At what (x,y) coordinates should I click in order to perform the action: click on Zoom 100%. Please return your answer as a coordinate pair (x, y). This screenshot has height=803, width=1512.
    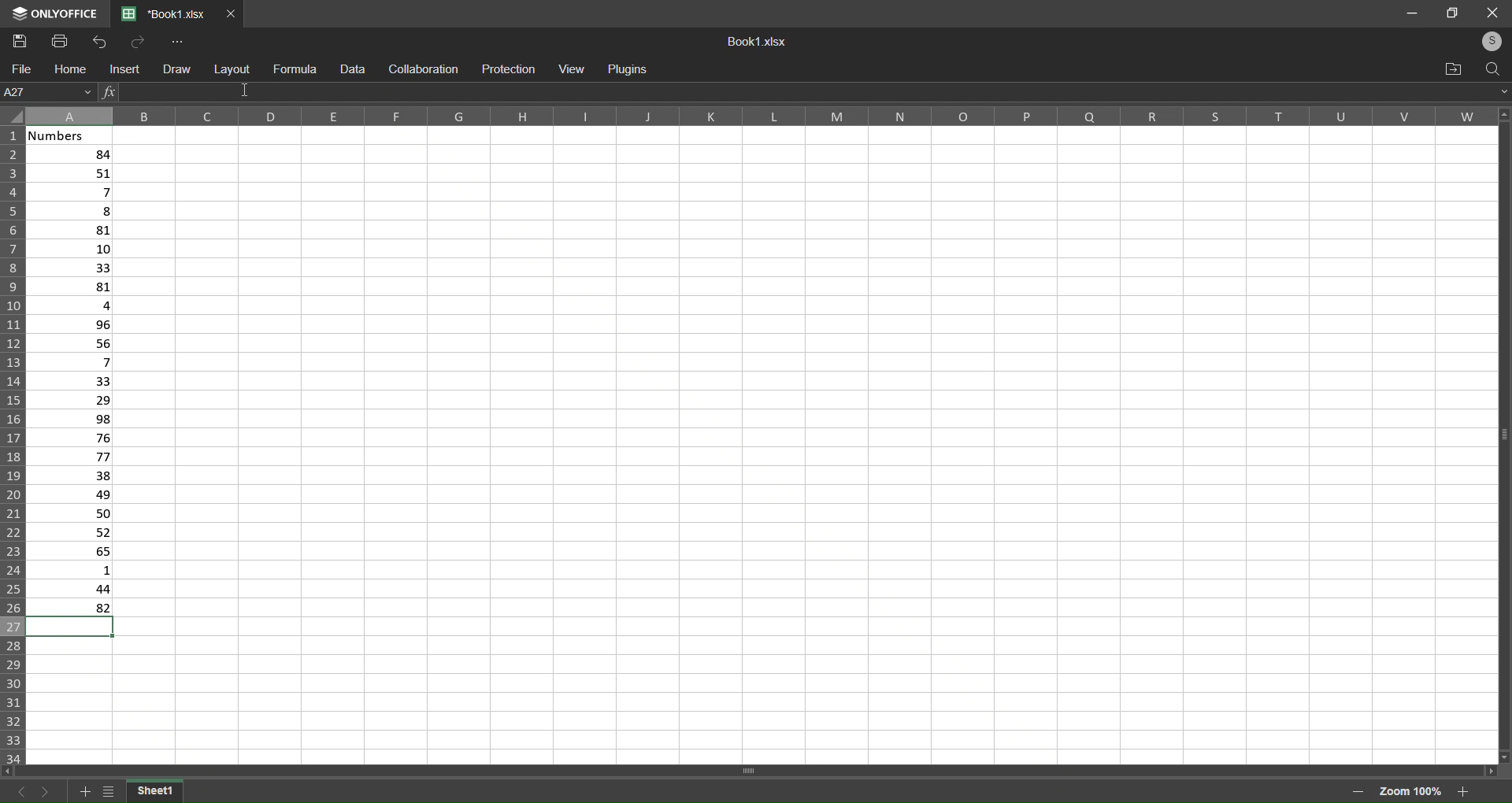
    Looking at the image, I should click on (1410, 790).